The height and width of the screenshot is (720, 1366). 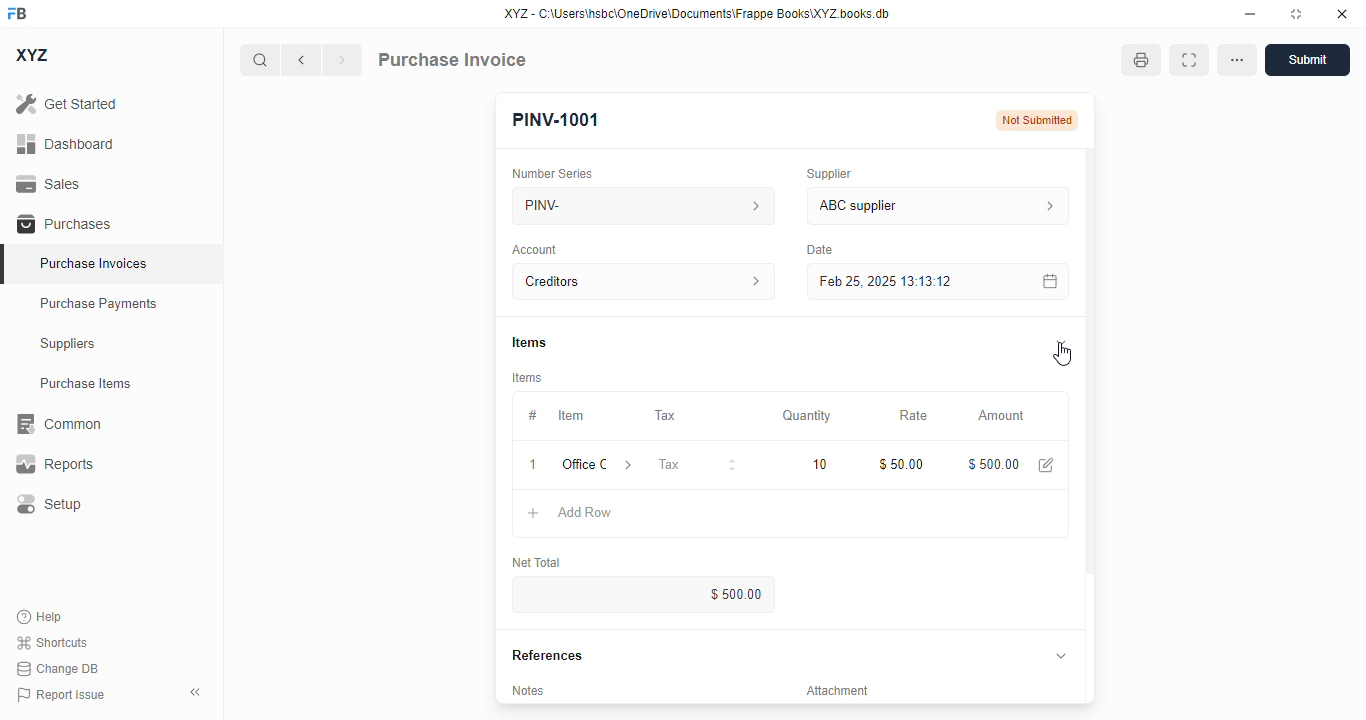 What do you see at coordinates (533, 691) in the screenshot?
I see `notes` at bounding box center [533, 691].